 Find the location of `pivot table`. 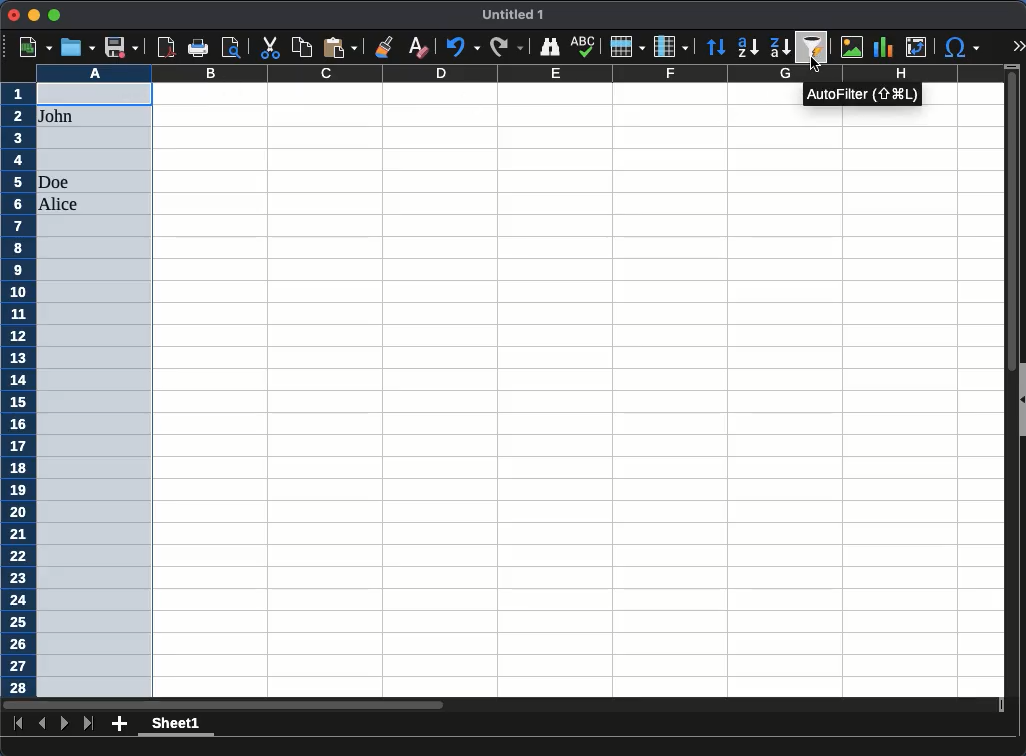

pivot table is located at coordinates (918, 47).